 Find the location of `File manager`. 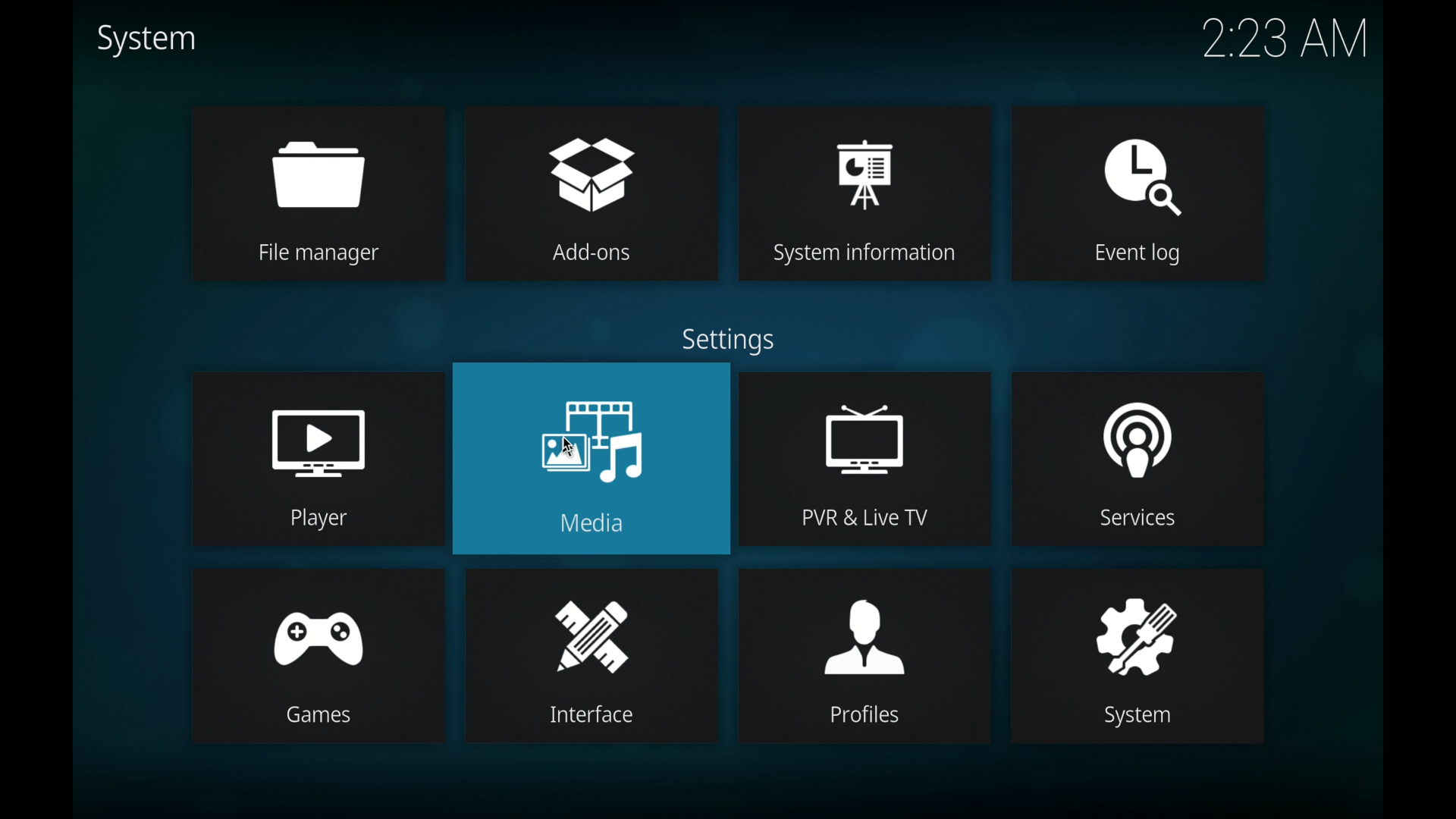

File manager is located at coordinates (321, 256).